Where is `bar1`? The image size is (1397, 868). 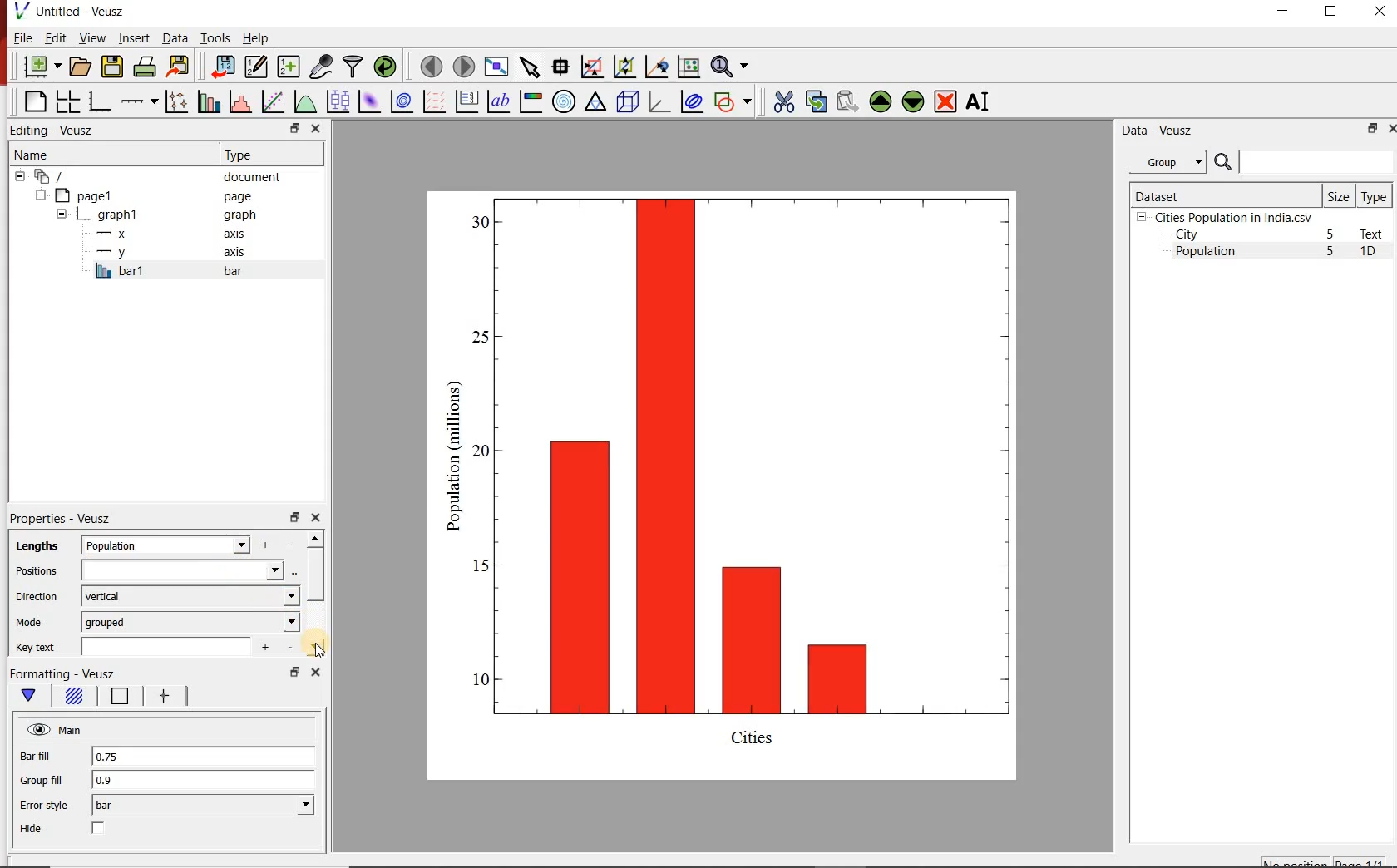 bar1 is located at coordinates (186, 271).